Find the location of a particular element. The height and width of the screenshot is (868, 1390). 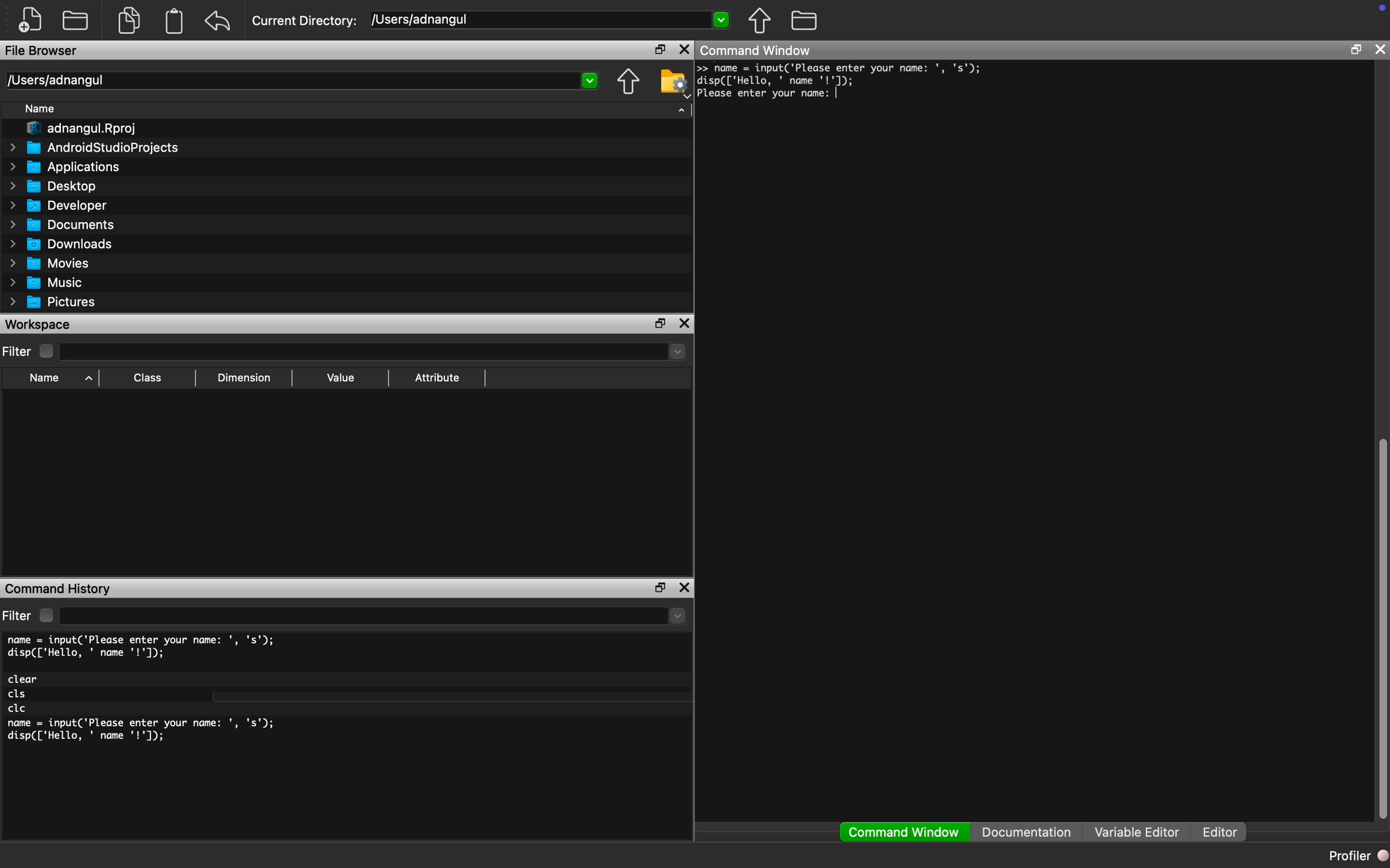

Dimension is located at coordinates (244, 378).